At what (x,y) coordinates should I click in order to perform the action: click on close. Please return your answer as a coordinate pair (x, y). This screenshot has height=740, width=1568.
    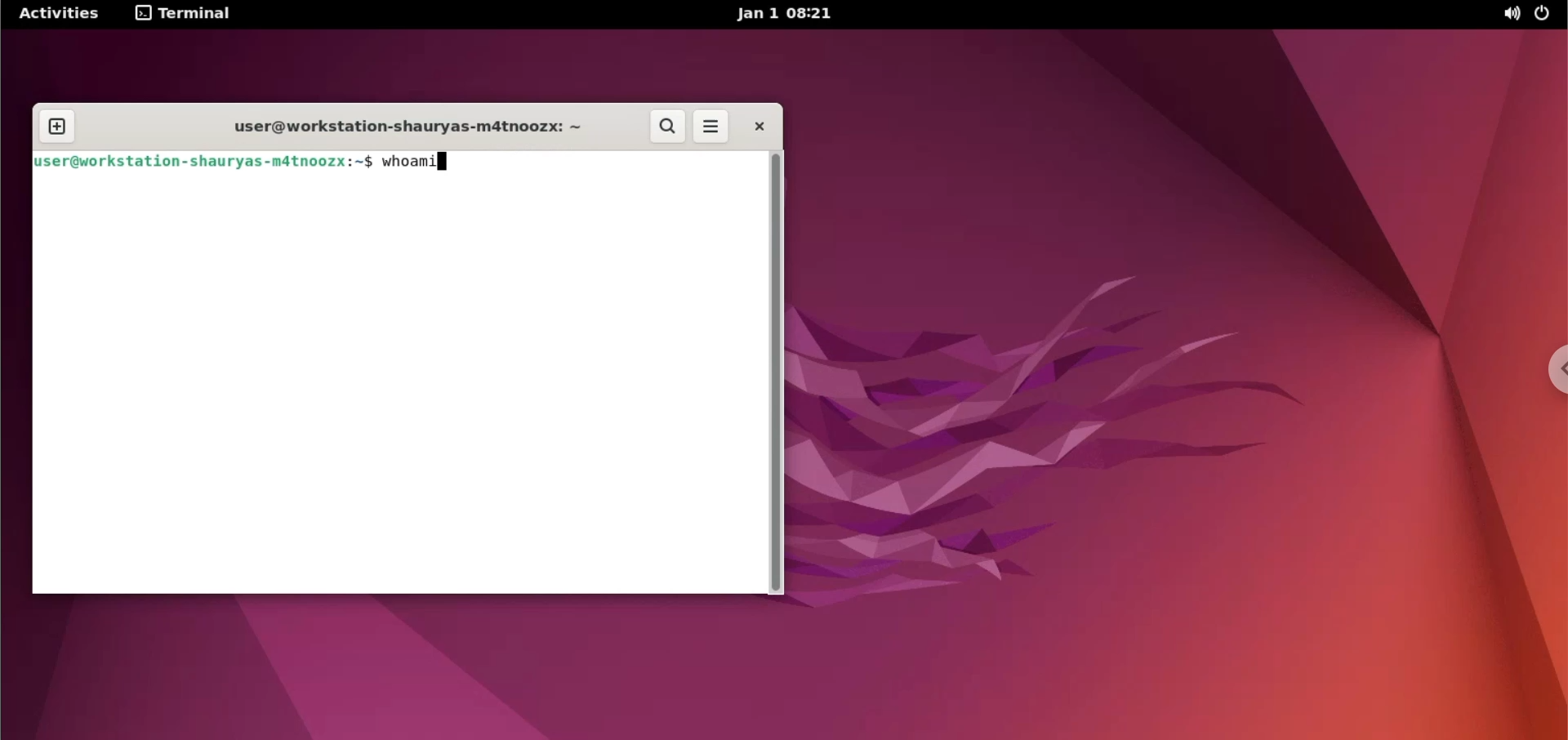
    Looking at the image, I should click on (752, 126).